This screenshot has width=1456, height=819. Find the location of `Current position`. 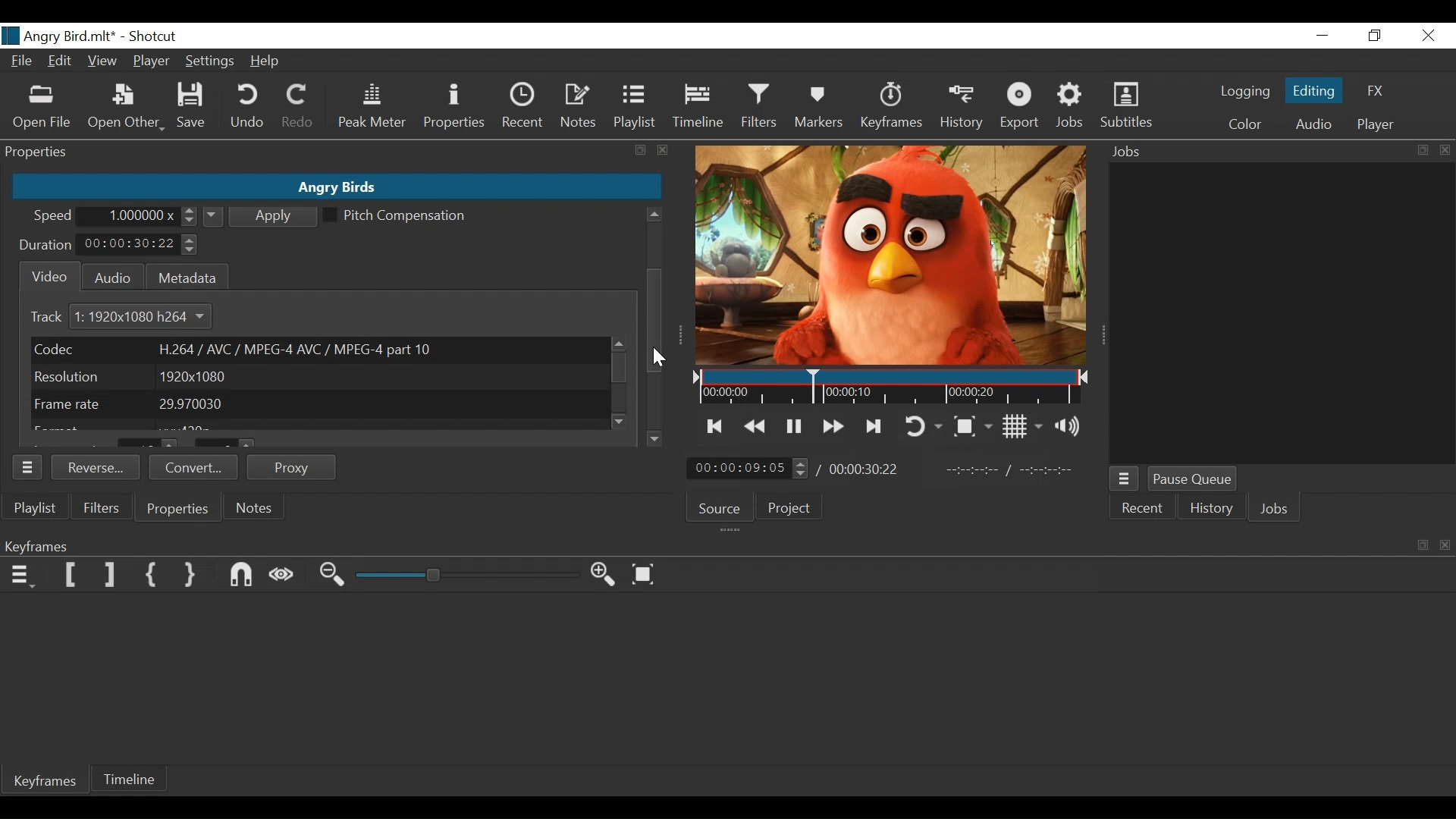

Current position is located at coordinates (749, 468).